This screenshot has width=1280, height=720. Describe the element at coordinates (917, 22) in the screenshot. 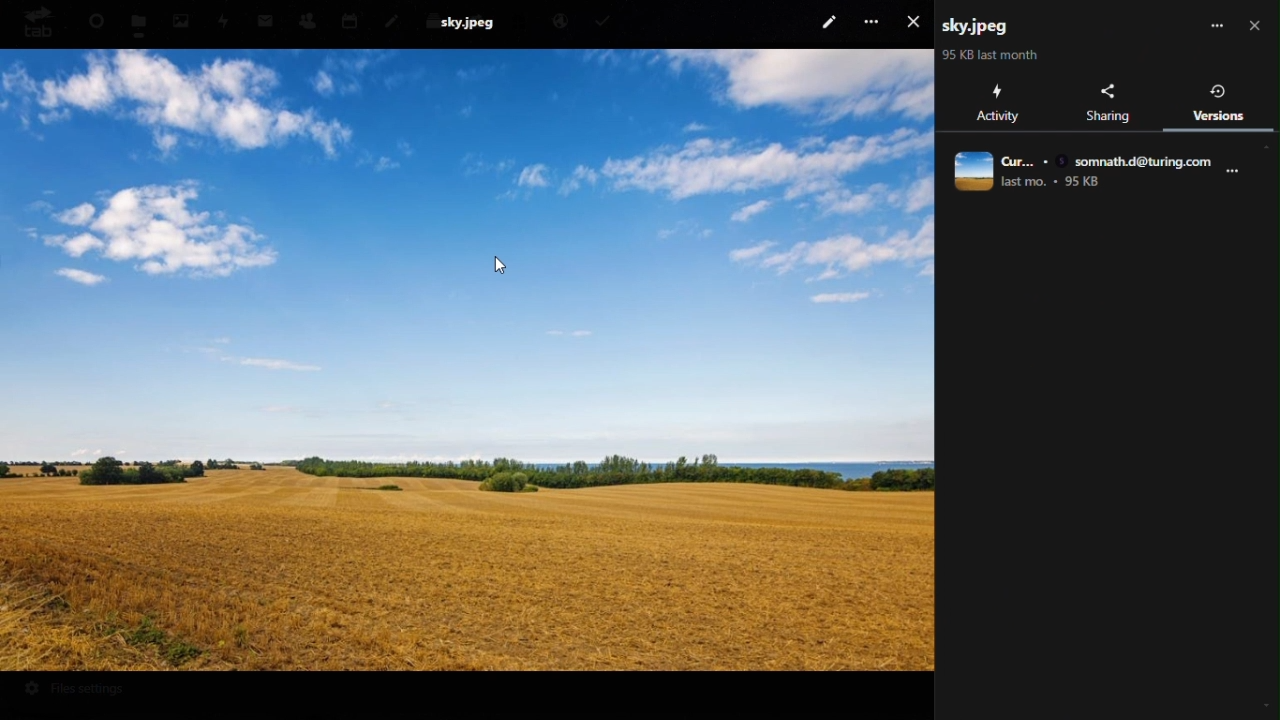

I see `Close` at that location.